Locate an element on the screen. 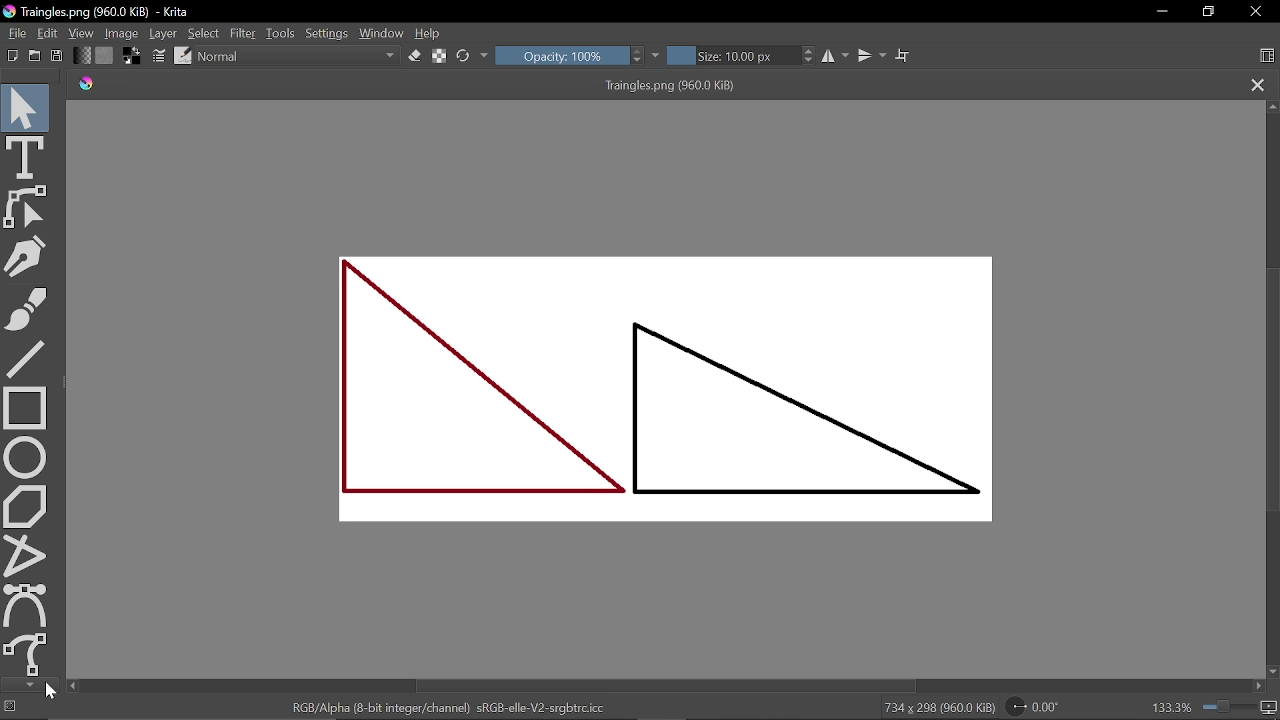 This screenshot has width=1280, height=720. Filter is located at coordinates (245, 34).